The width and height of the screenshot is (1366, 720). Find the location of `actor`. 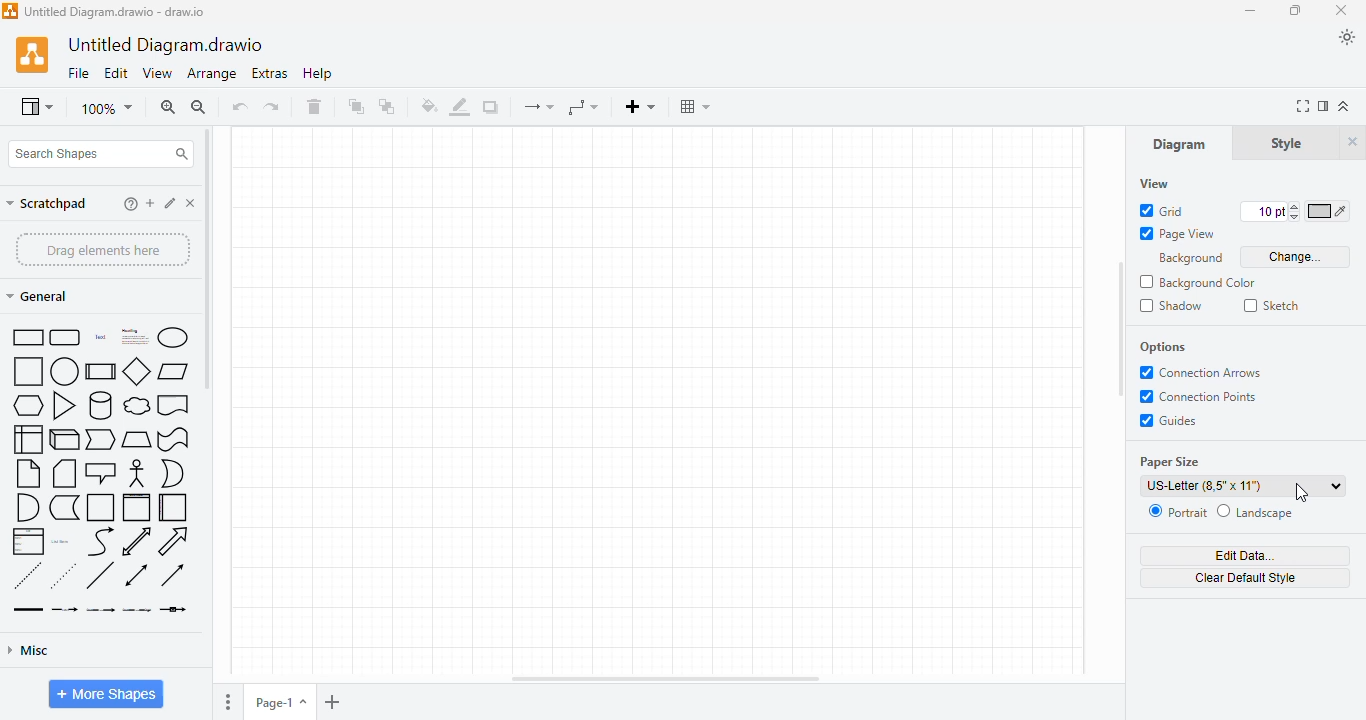

actor is located at coordinates (137, 473).